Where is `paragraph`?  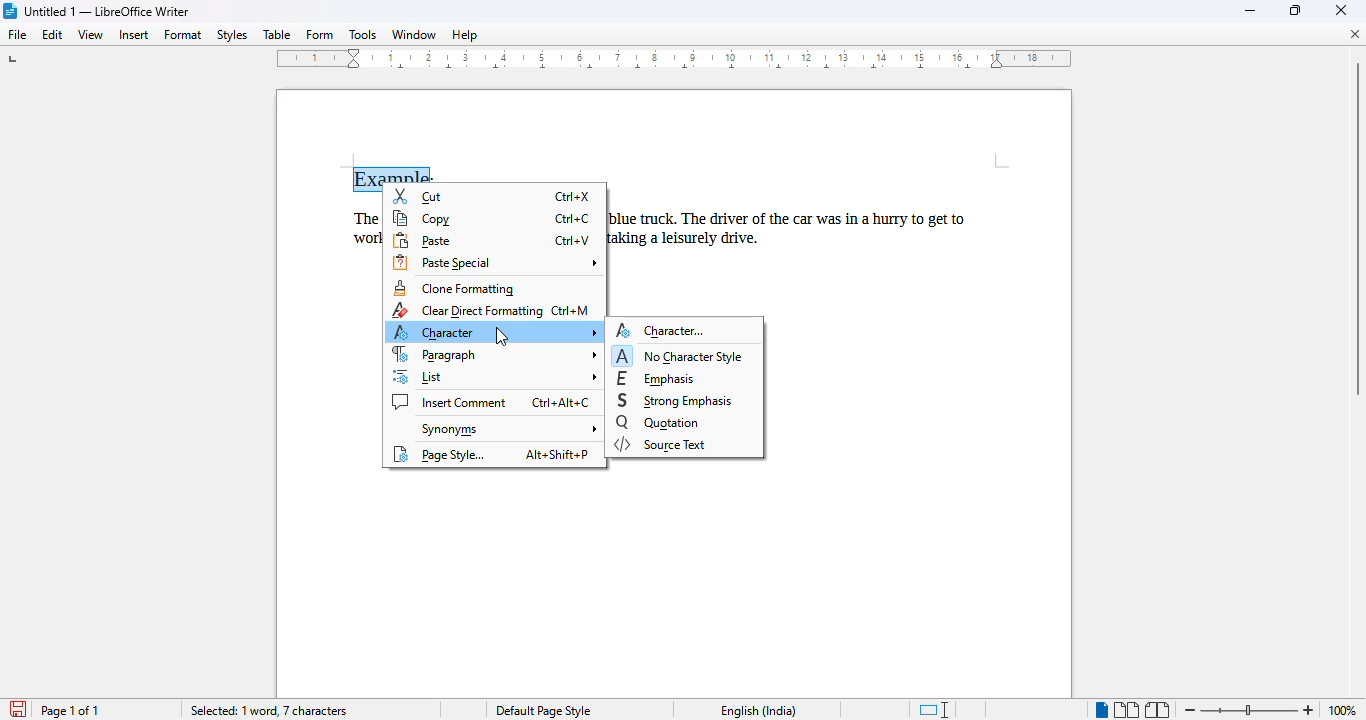
paragraph is located at coordinates (494, 354).